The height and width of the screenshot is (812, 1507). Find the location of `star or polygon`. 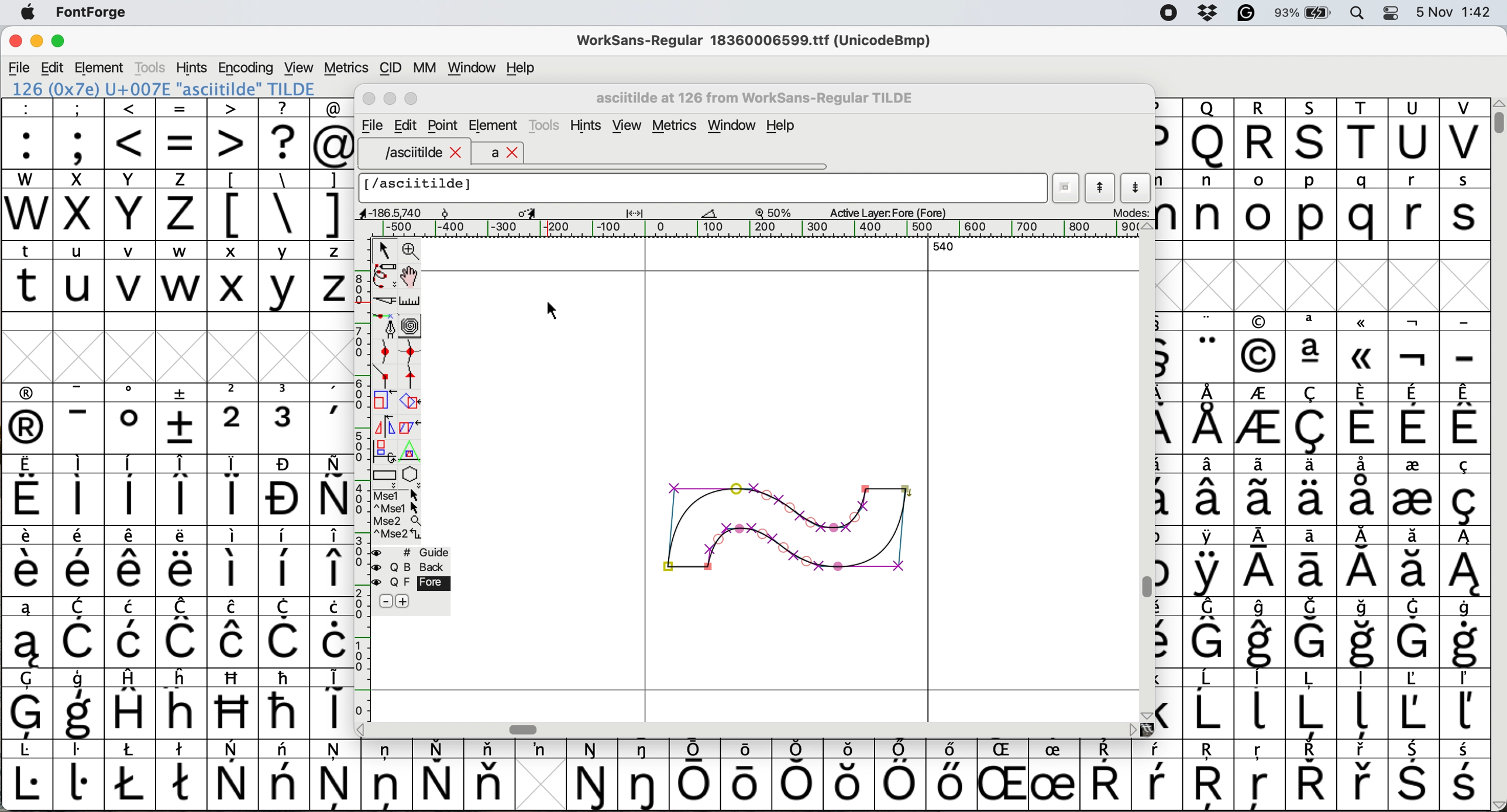

star or polygon is located at coordinates (411, 474).